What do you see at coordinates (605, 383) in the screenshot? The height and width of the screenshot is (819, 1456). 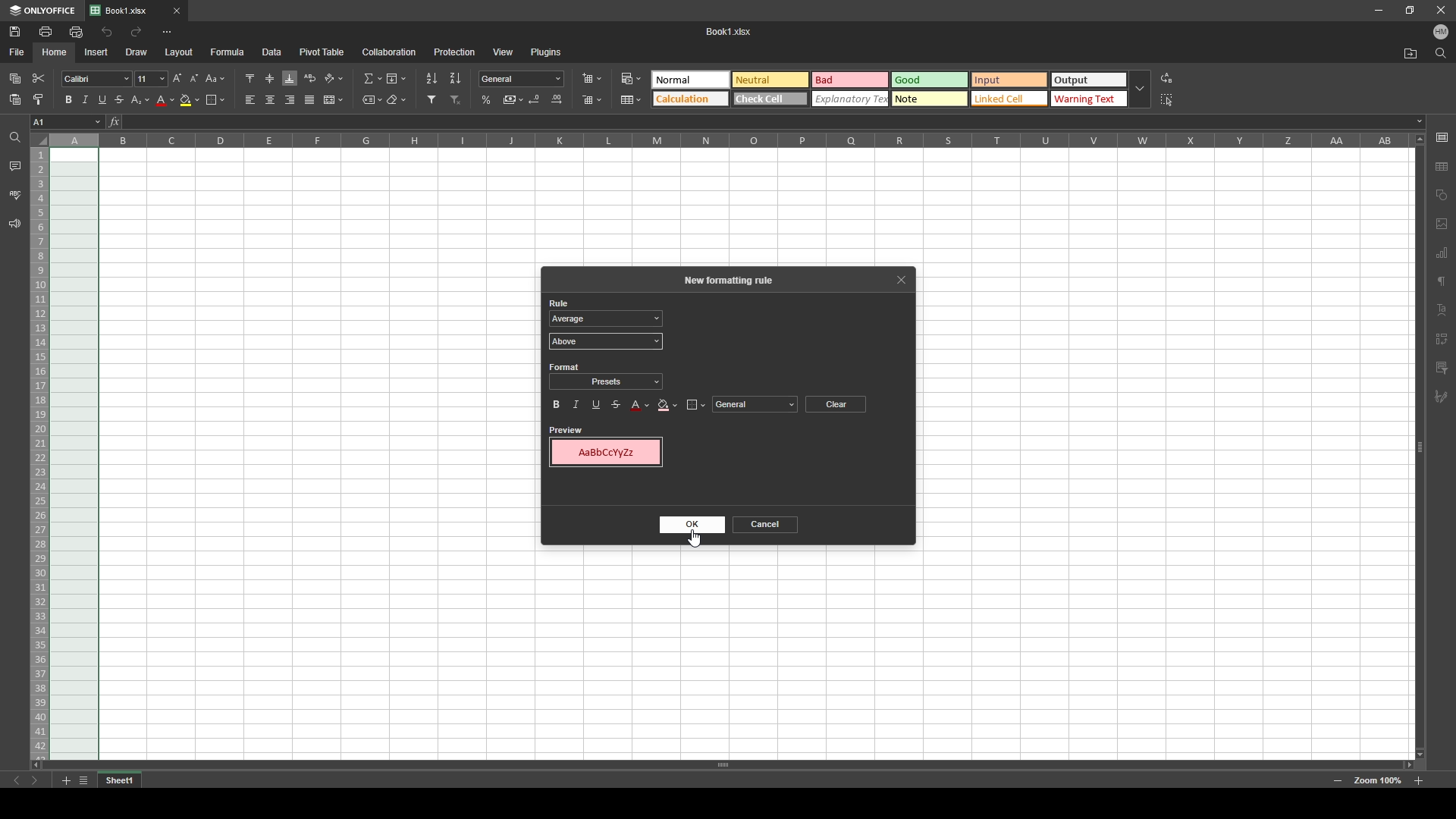 I see `presets` at bounding box center [605, 383].